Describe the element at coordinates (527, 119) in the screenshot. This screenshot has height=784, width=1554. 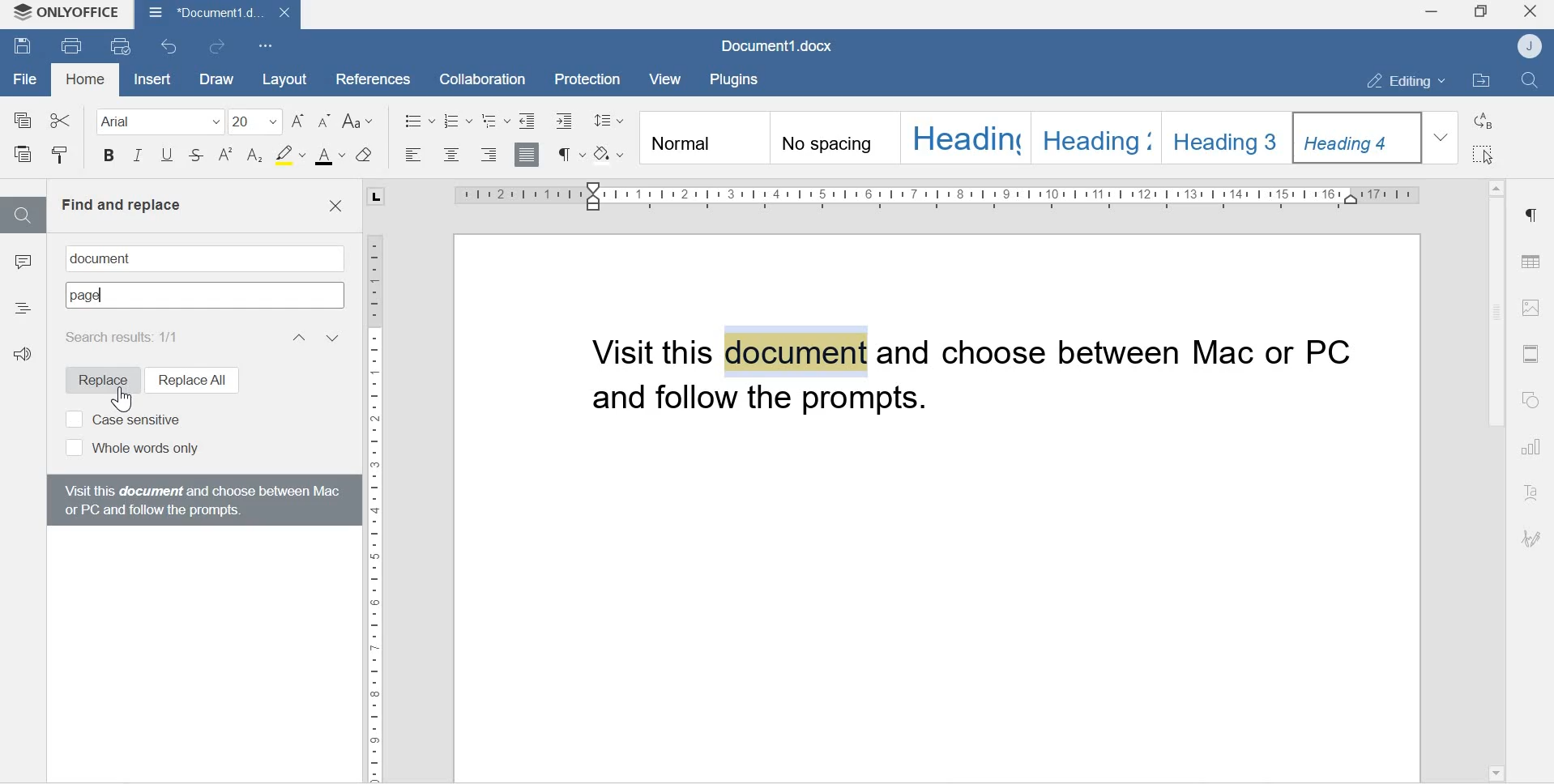
I see `Decrease indent` at that location.